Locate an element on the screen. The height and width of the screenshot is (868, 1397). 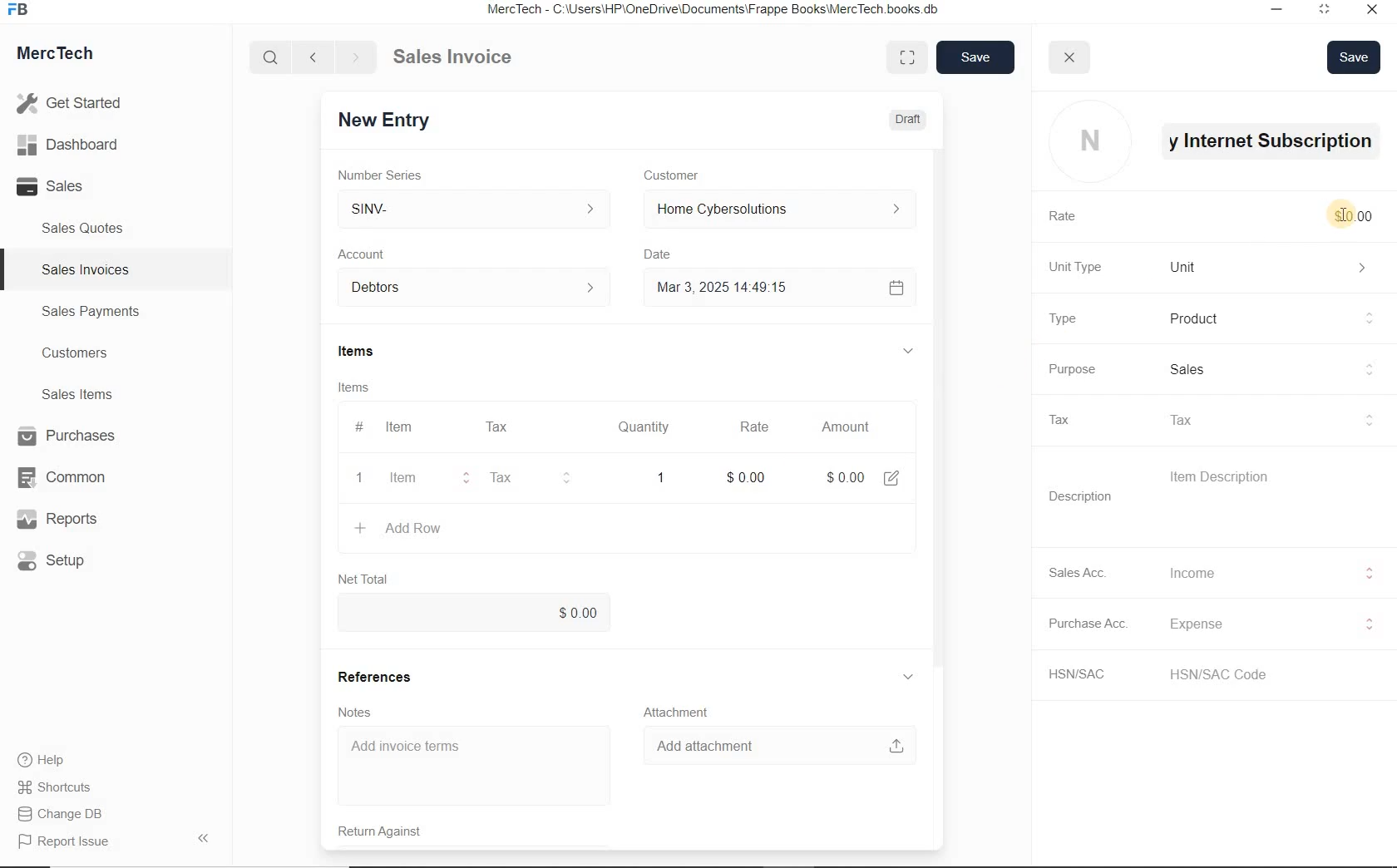
Amount is located at coordinates (842, 427).